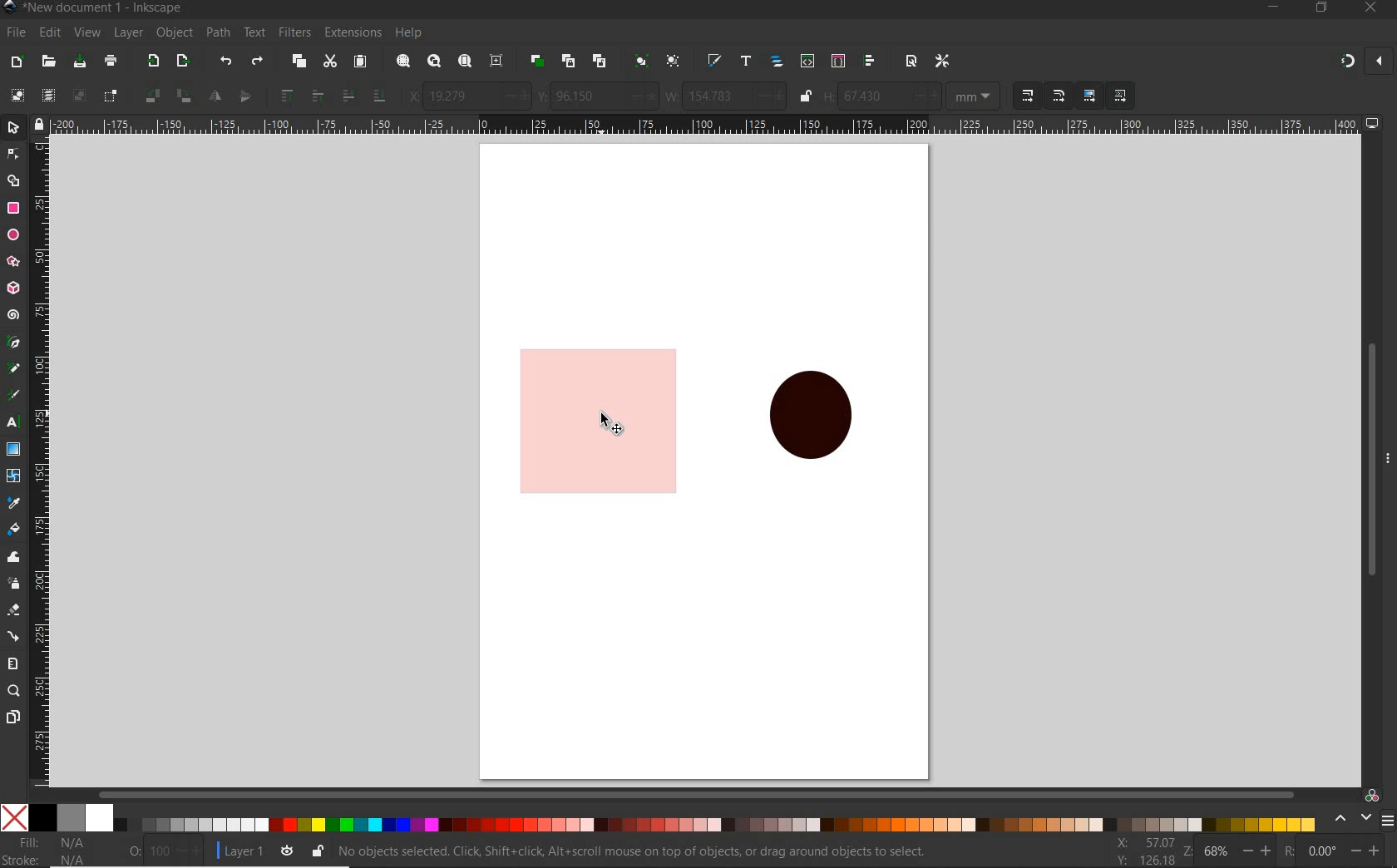 The height and width of the screenshot is (868, 1397). What do you see at coordinates (316, 94) in the screenshot?
I see `raise` at bounding box center [316, 94].